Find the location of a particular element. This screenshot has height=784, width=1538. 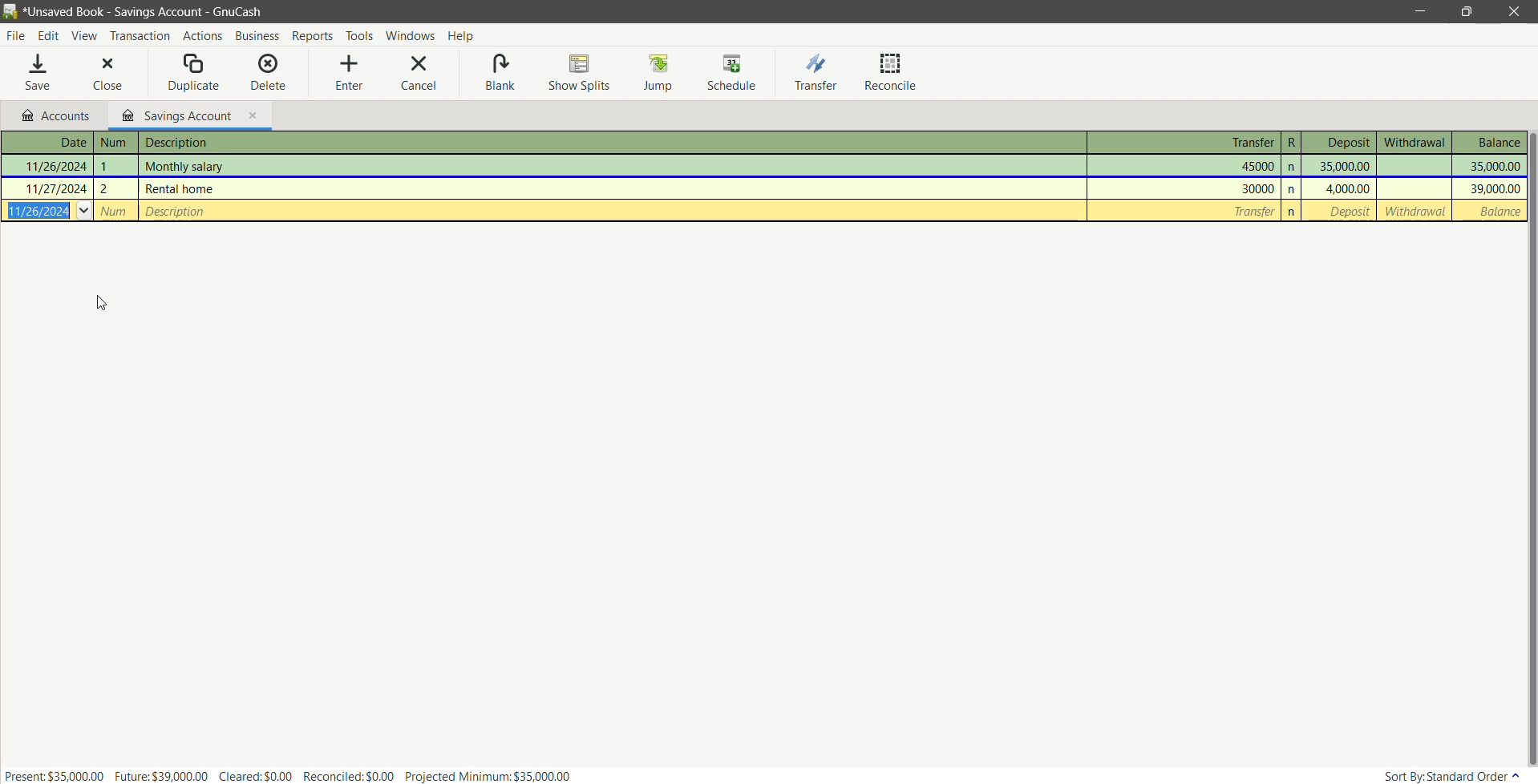

Date is located at coordinates (48, 143).